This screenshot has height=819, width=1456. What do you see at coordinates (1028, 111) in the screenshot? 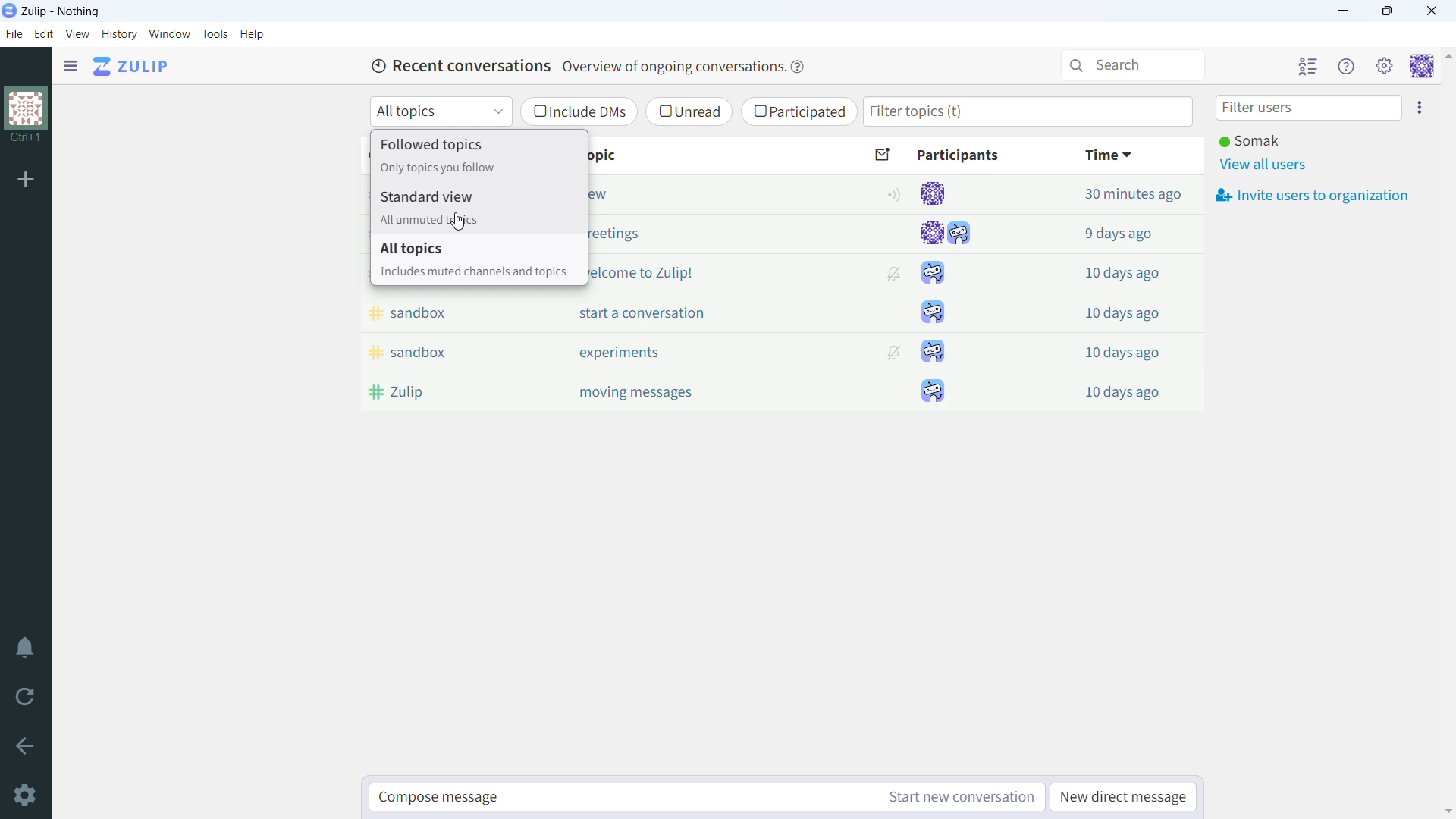
I see `filter topics` at bounding box center [1028, 111].